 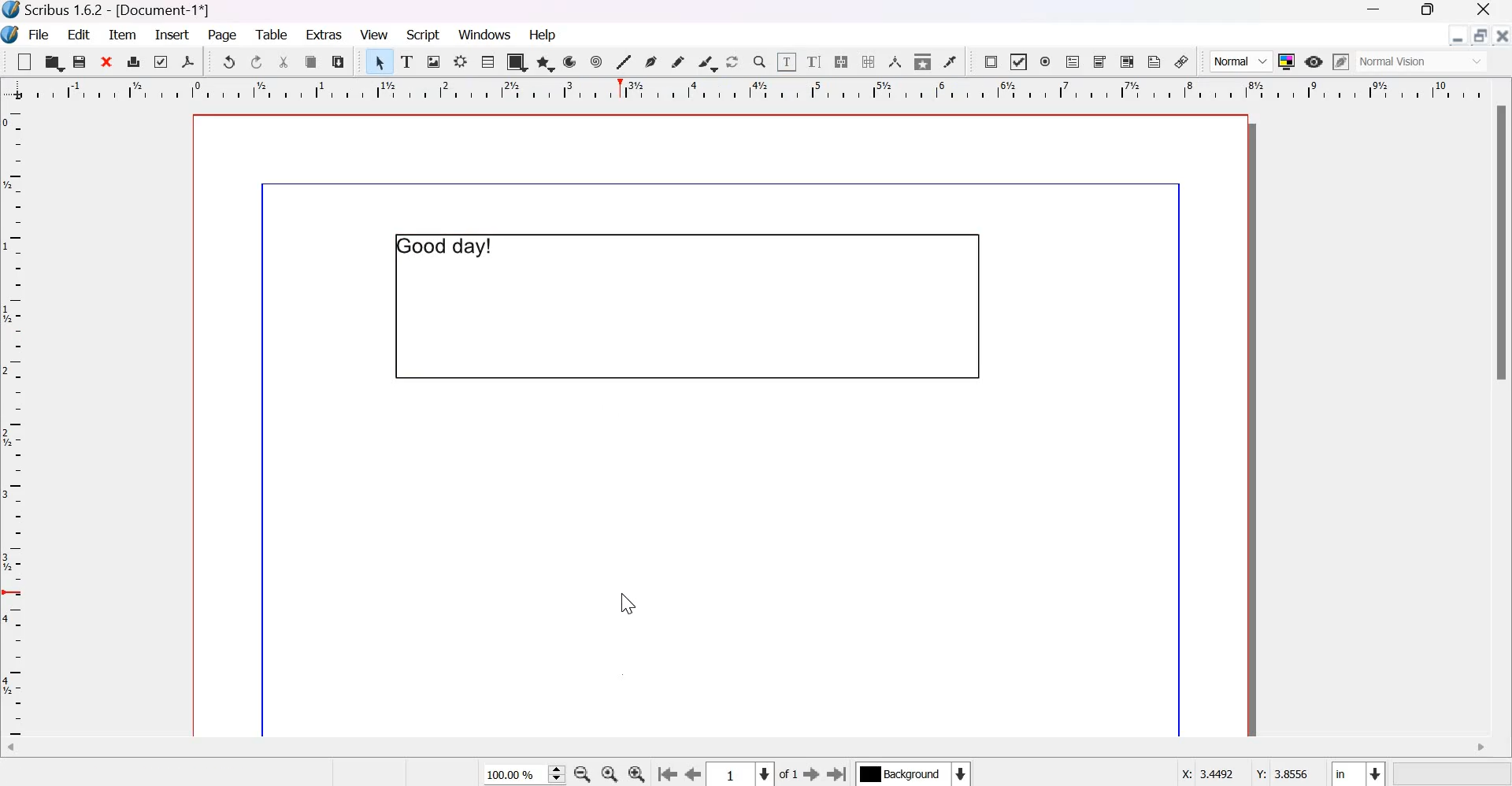 What do you see at coordinates (1101, 62) in the screenshot?
I see `PDF Combo Box` at bounding box center [1101, 62].